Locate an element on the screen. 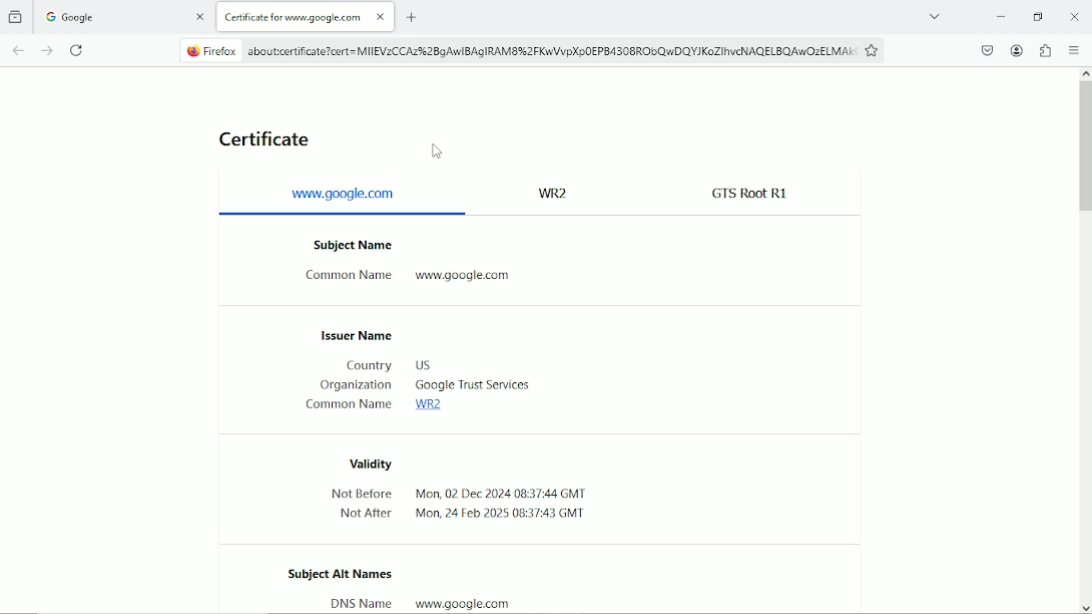  Bookmark this page is located at coordinates (875, 51).